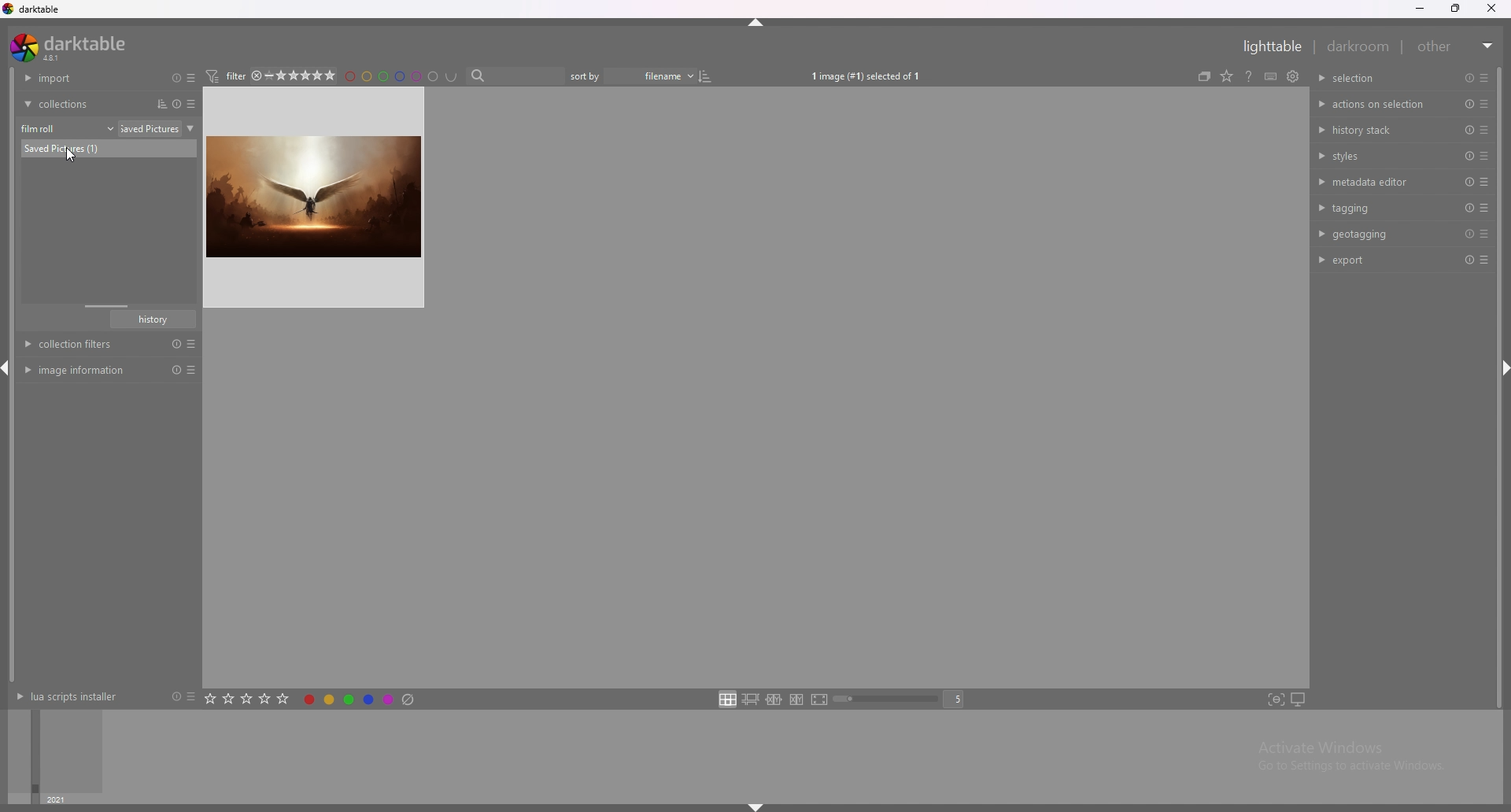 The width and height of the screenshot is (1511, 812). What do you see at coordinates (1458, 9) in the screenshot?
I see `resize` at bounding box center [1458, 9].